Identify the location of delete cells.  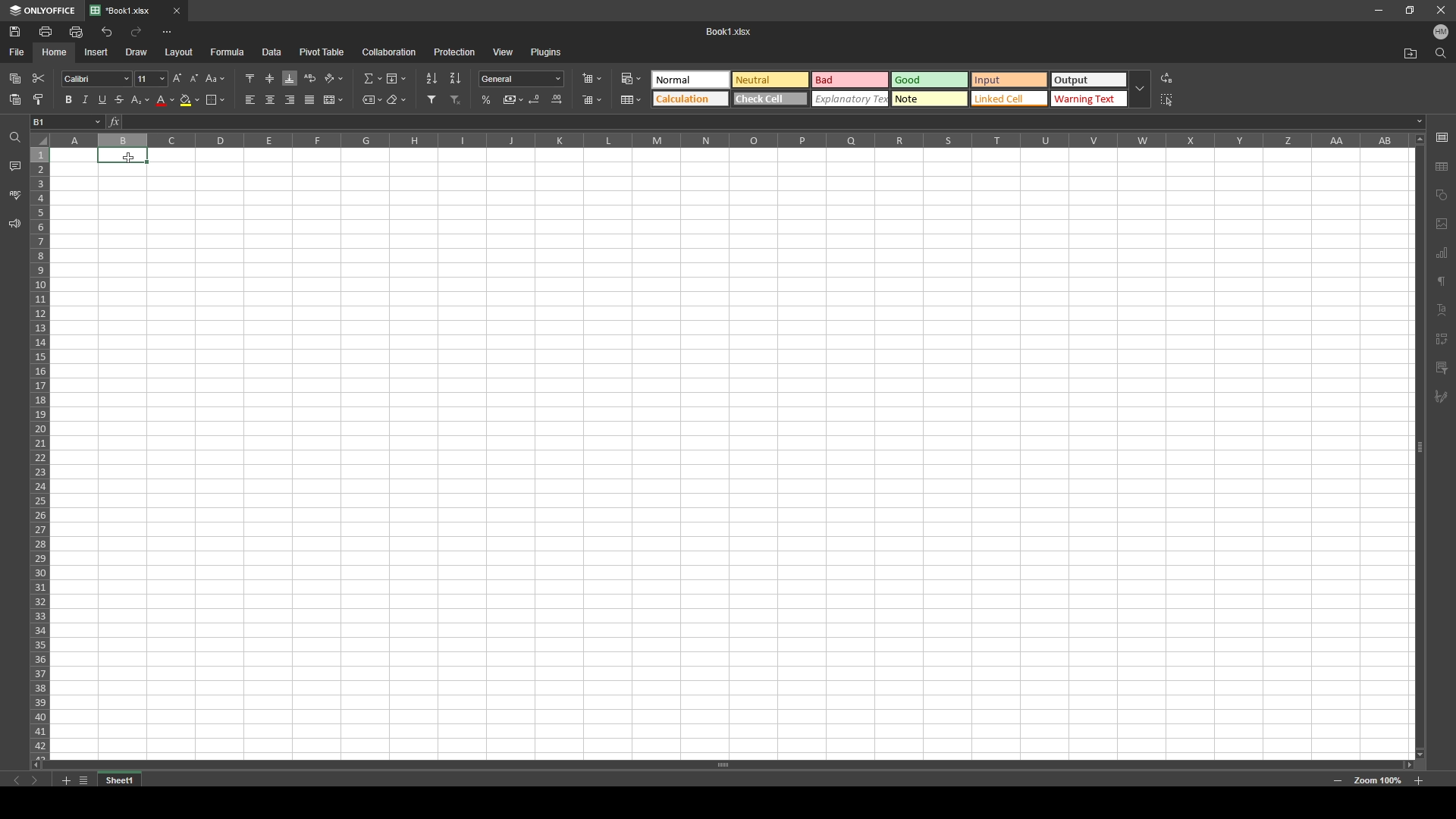
(592, 99).